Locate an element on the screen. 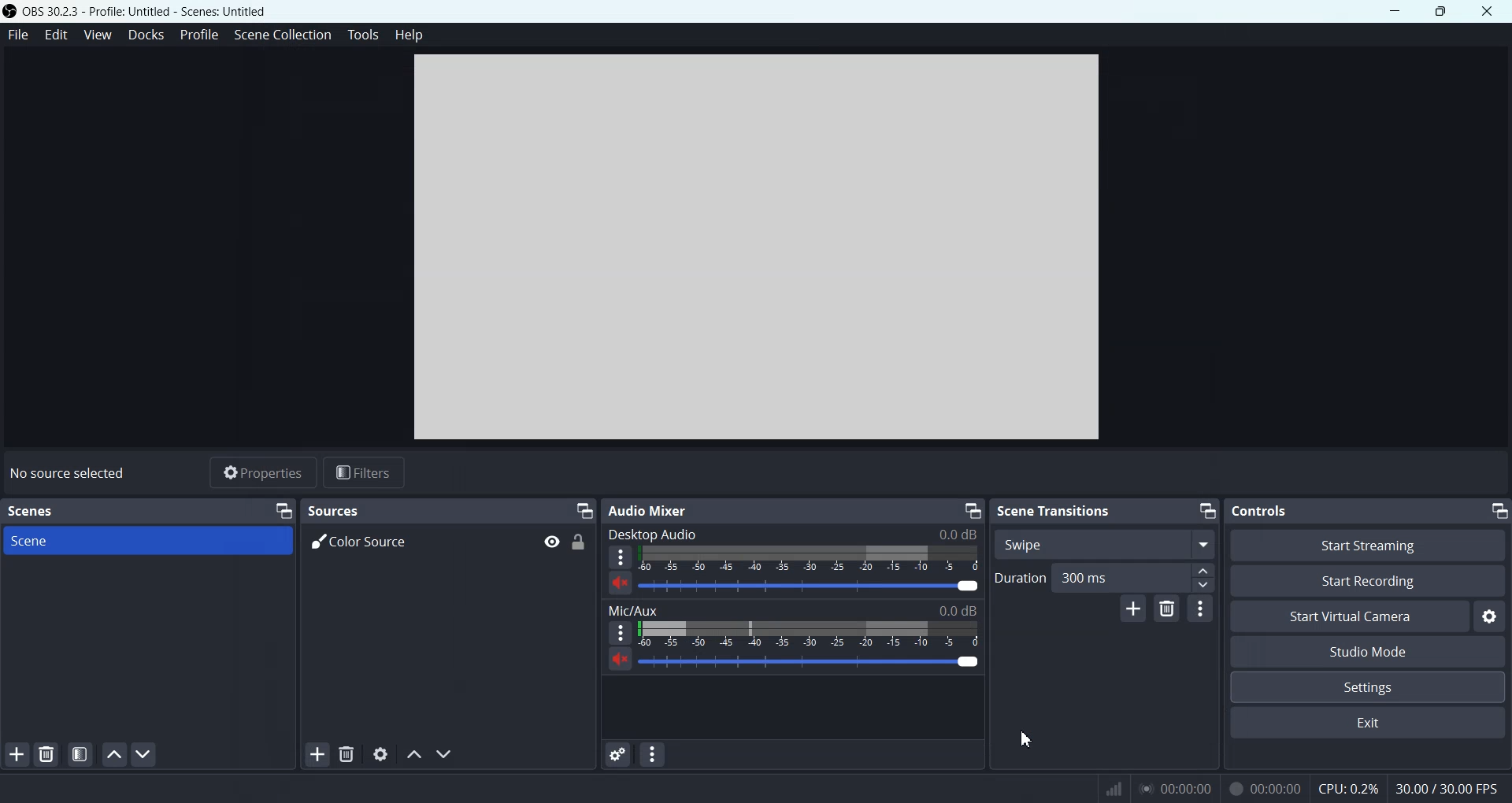 This screenshot has height=803, width=1512. Advance audio properties is located at coordinates (617, 753).